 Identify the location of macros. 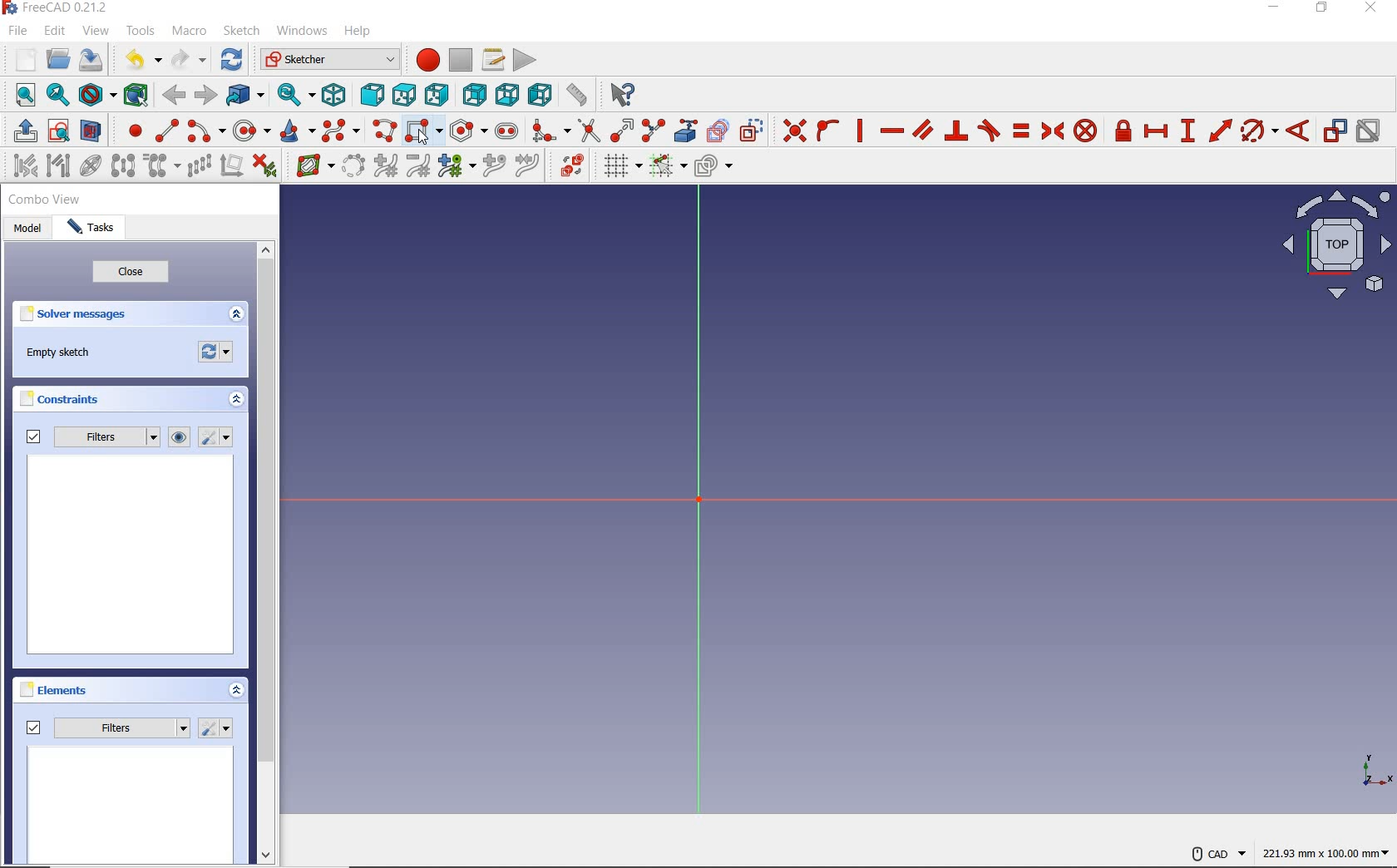
(493, 60).